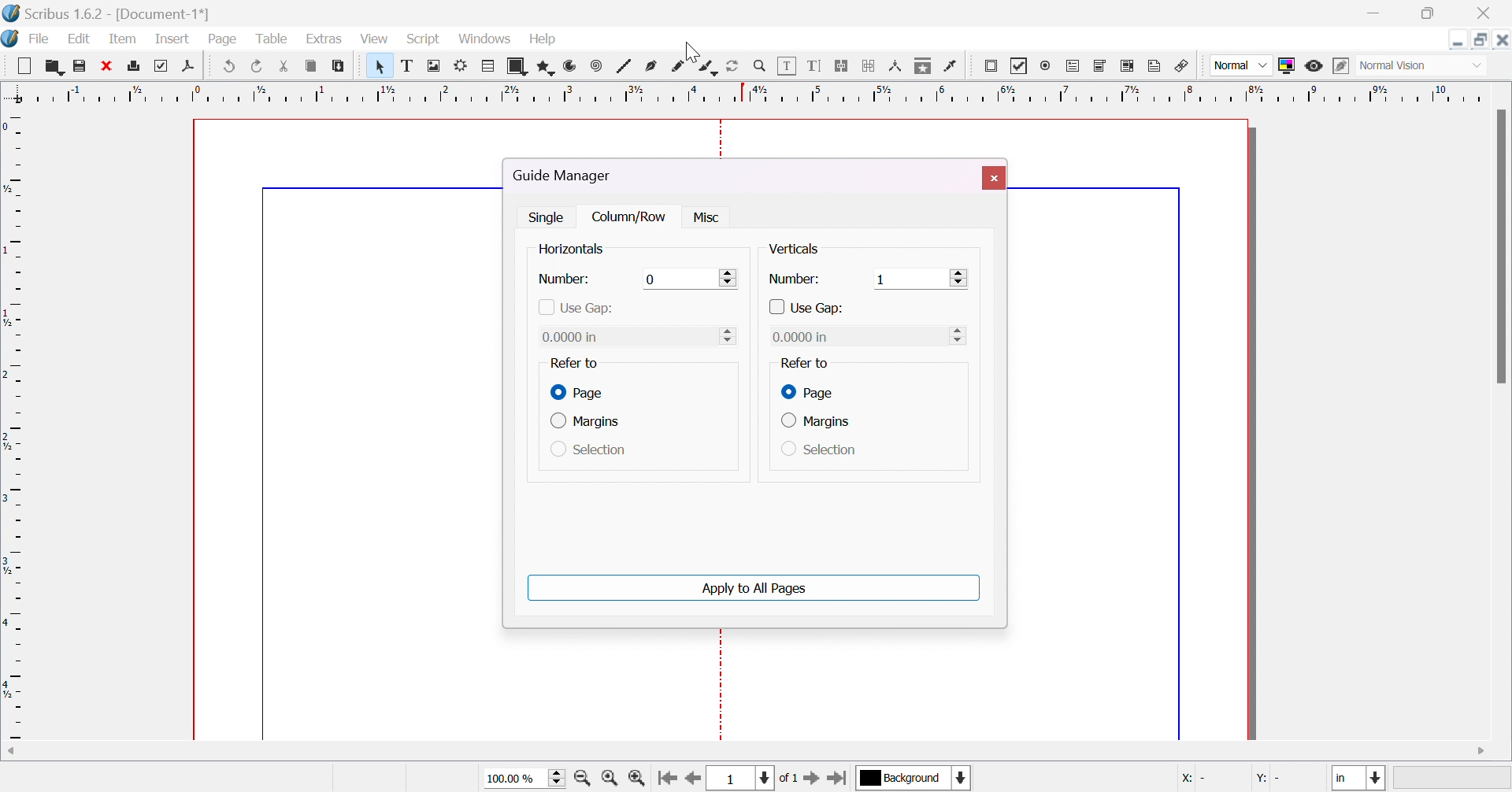 The image size is (1512, 792). What do you see at coordinates (580, 393) in the screenshot?
I see `page` at bounding box center [580, 393].